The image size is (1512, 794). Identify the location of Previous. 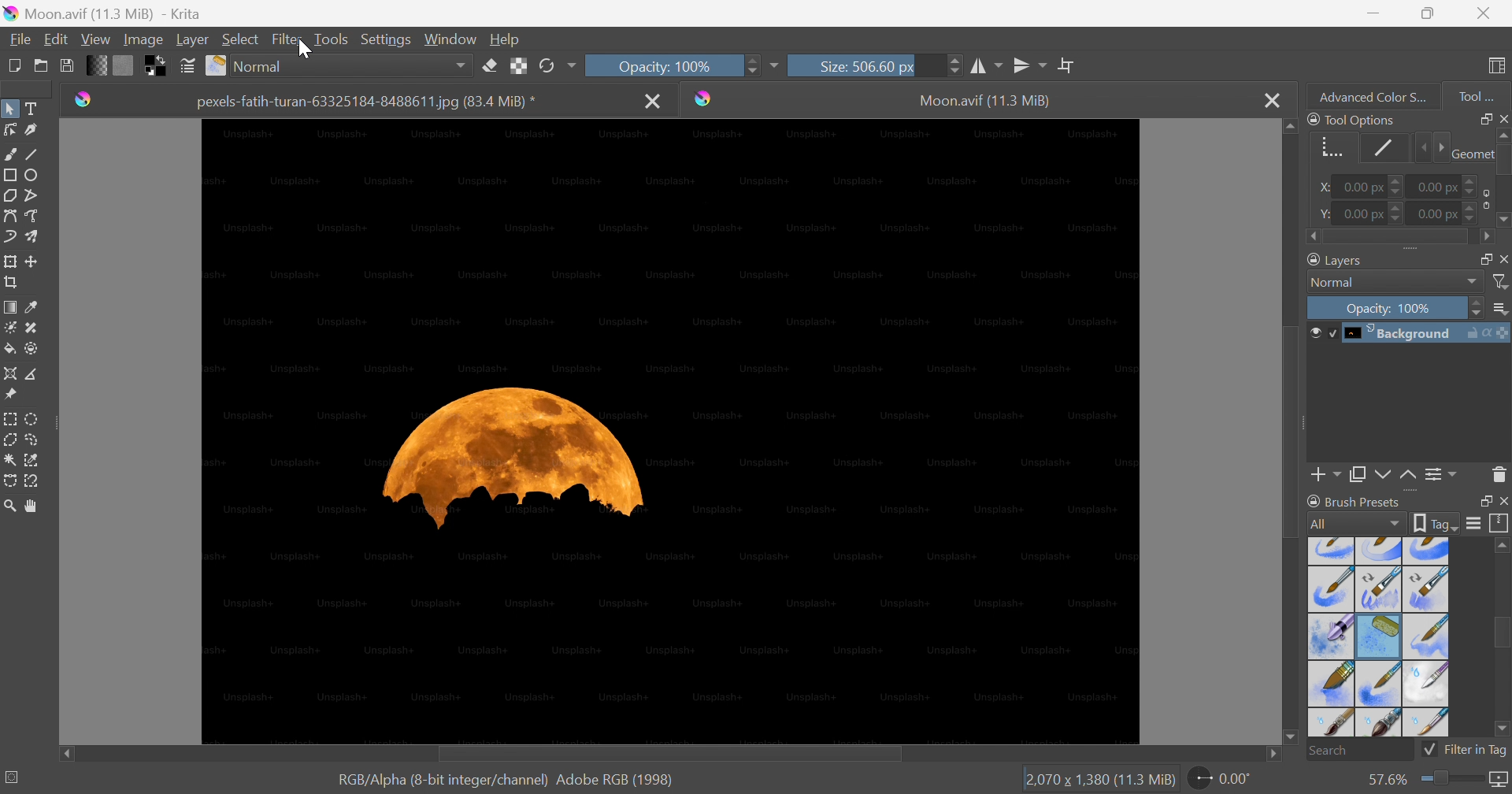
(1419, 148).